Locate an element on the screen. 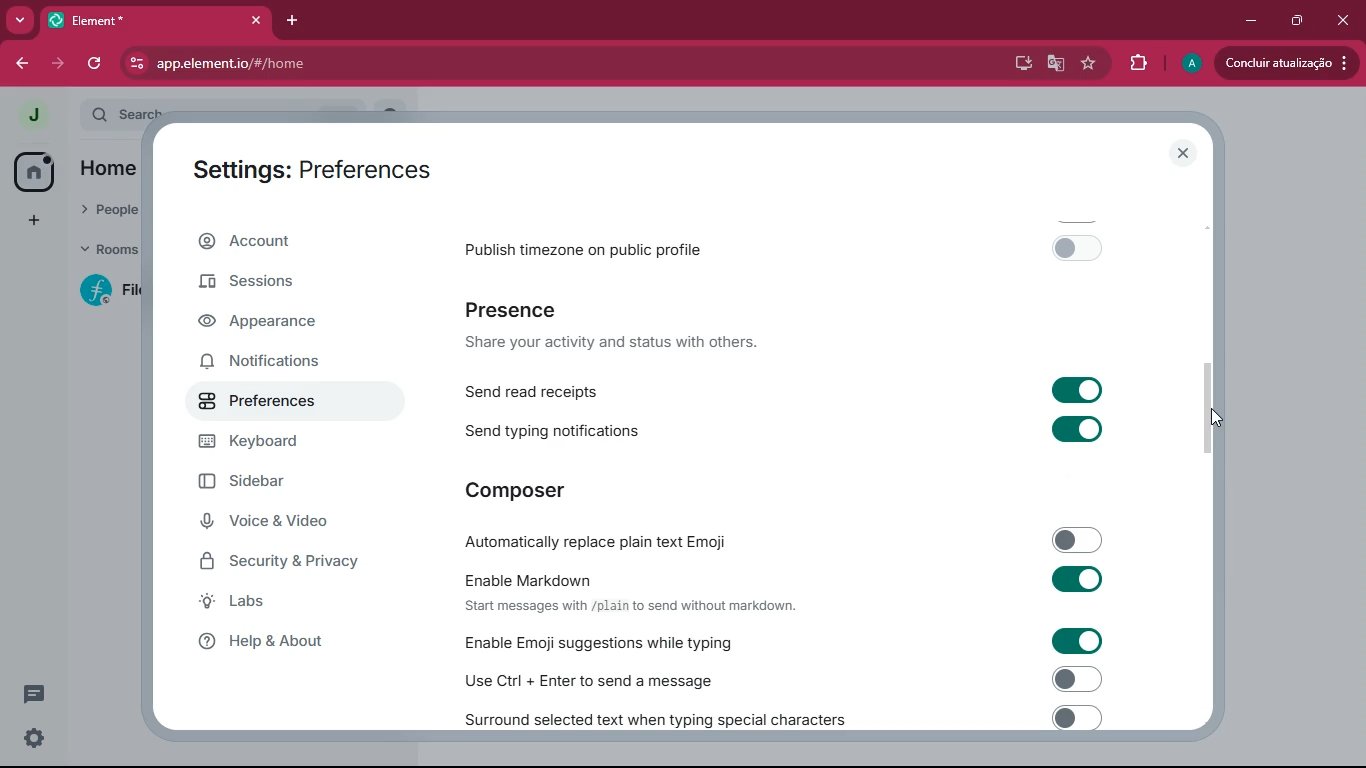 The image size is (1366, 768). appearance is located at coordinates (270, 322).